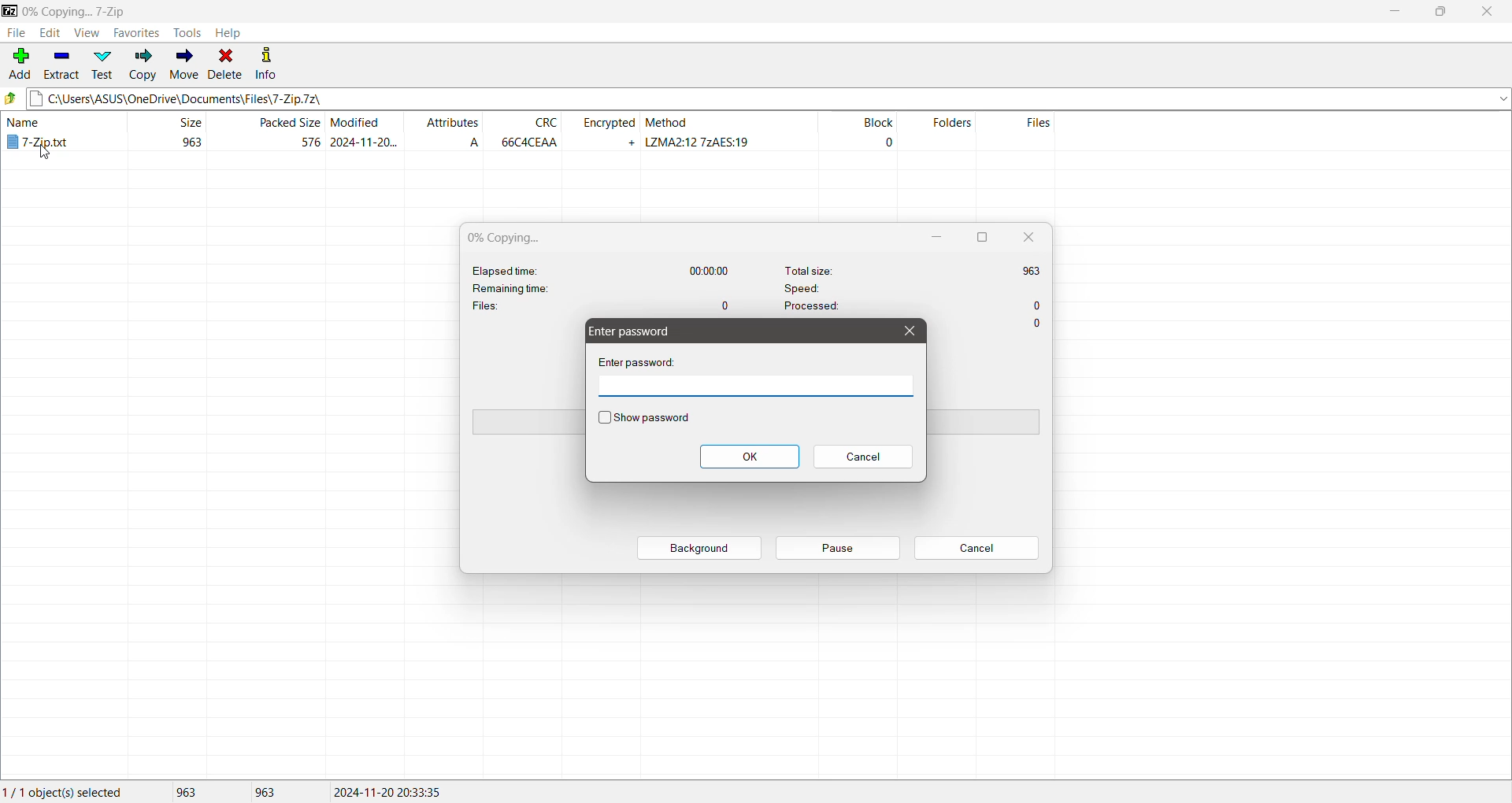  I want to click on 963, so click(194, 793).